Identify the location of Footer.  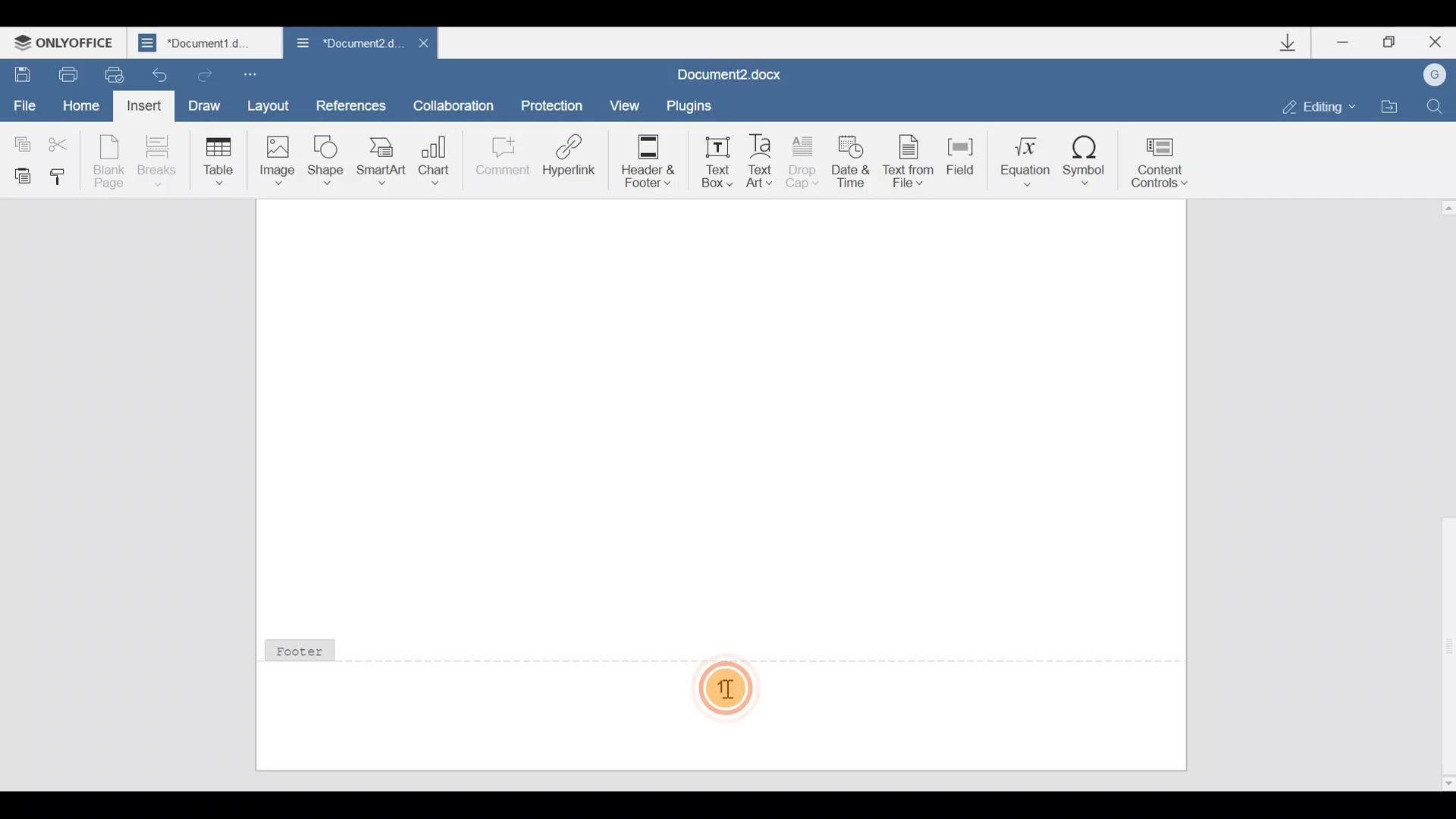
(327, 654).